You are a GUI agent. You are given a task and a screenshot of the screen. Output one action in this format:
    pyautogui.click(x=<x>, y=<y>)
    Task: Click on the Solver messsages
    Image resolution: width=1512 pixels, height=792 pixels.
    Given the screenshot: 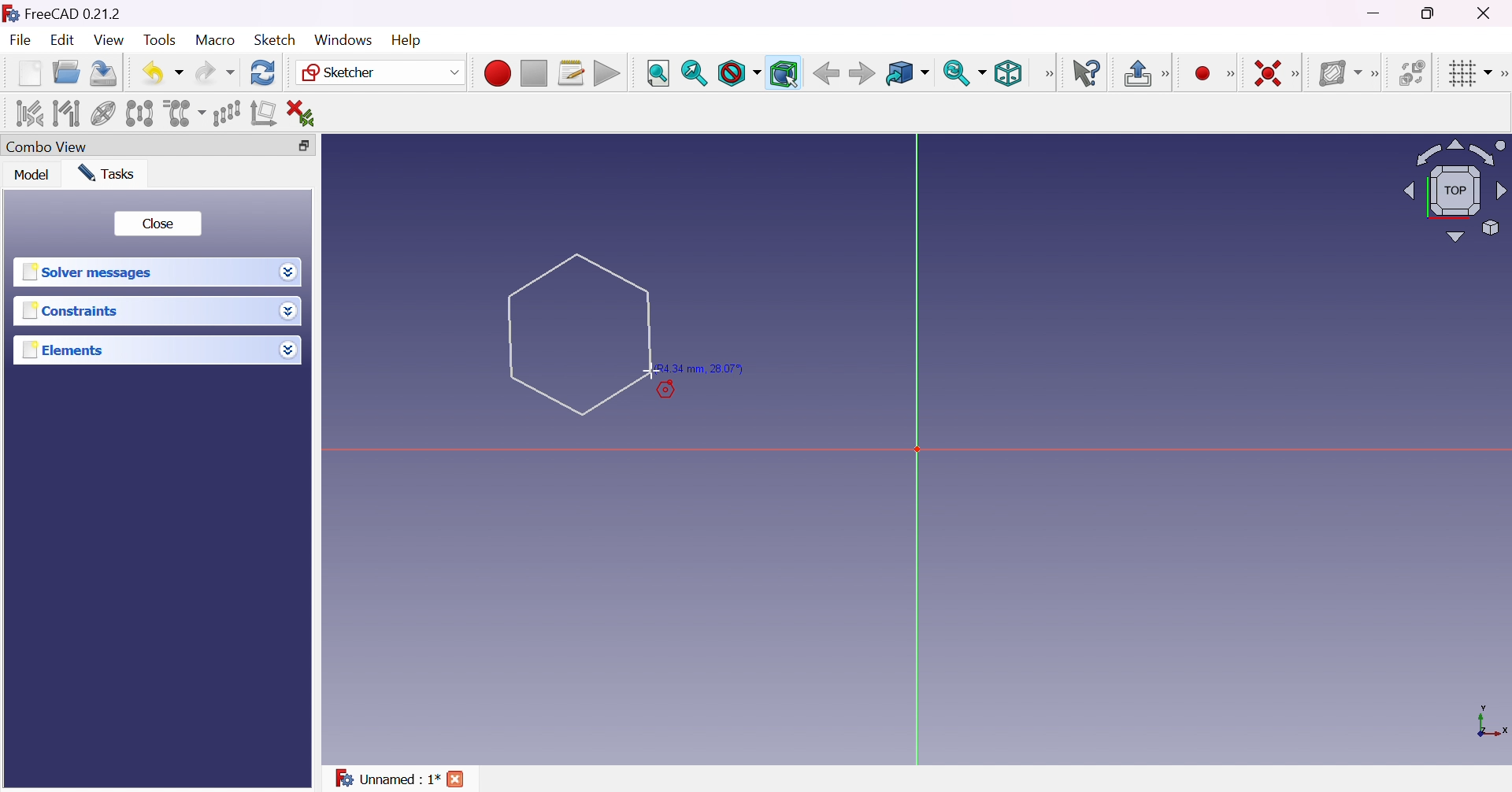 What is the action you would take?
    pyautogui.click(x=91, y=272)
    